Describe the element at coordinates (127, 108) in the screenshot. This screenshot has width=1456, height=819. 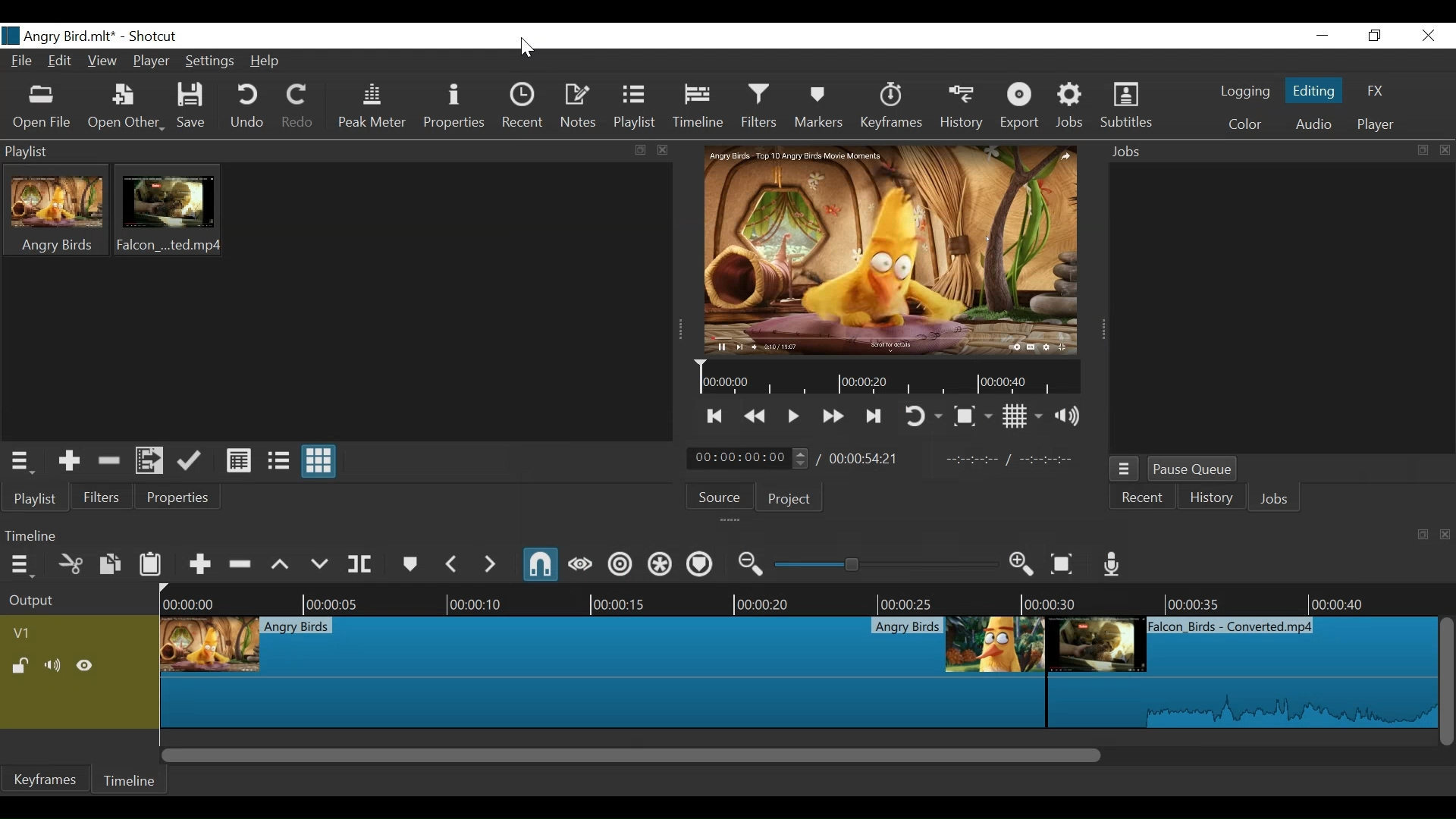
I see `Open Other` at that location.